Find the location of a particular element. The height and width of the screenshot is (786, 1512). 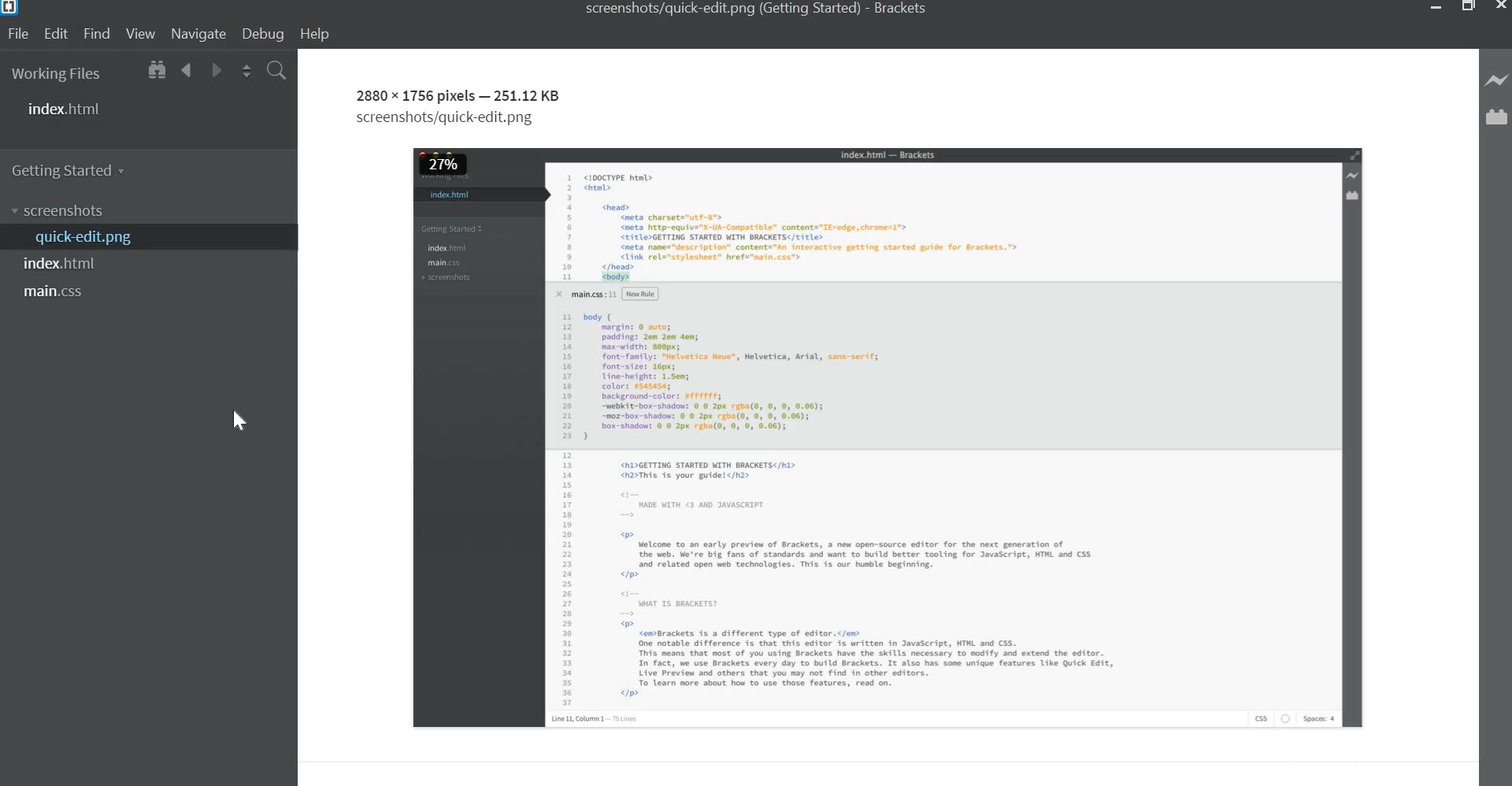

Find is located at coordinates (96, 34).